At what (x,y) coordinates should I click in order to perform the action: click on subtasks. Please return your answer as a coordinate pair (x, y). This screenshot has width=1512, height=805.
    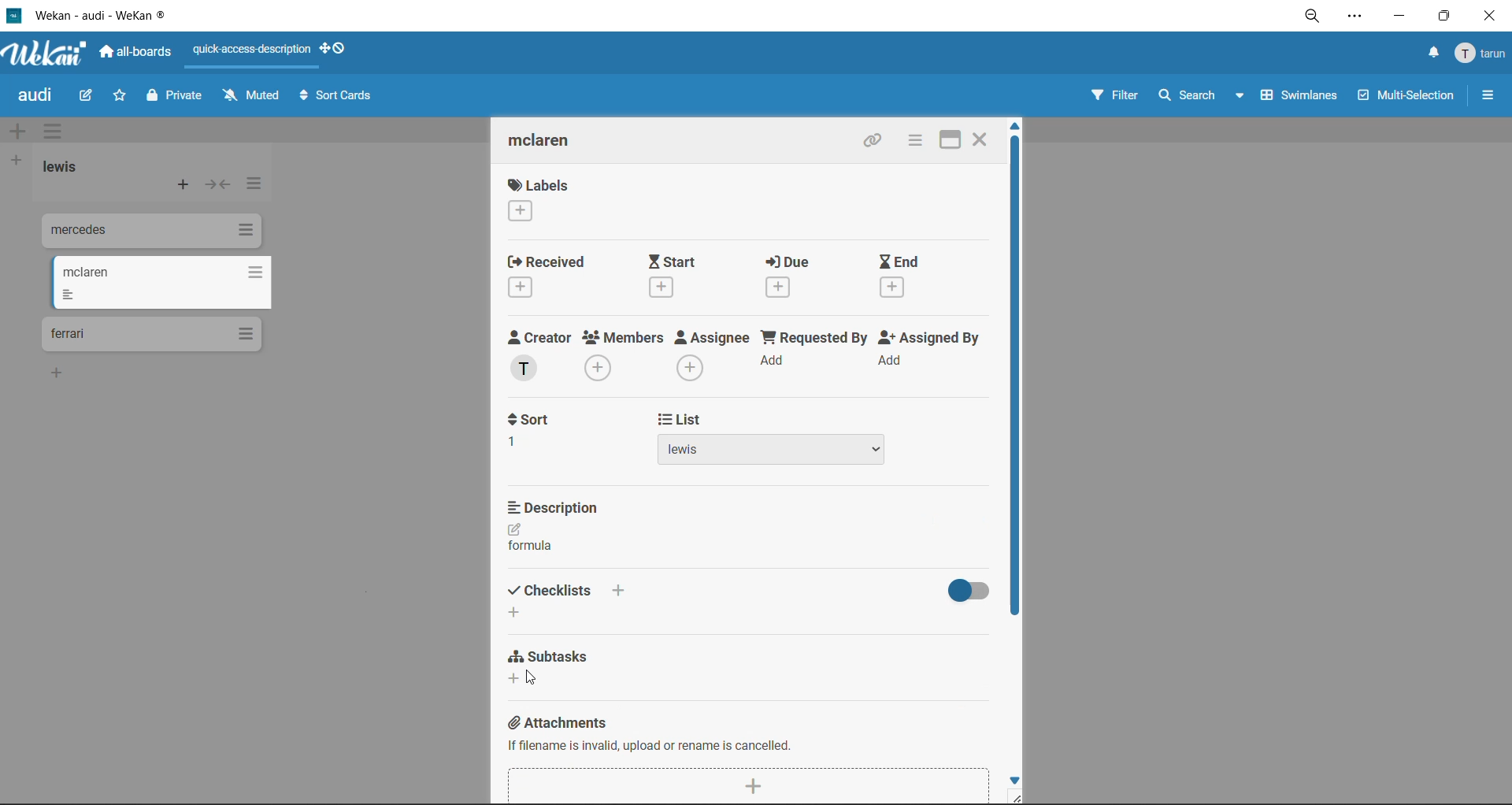
    Looking at the image, I should click on (557, 669).